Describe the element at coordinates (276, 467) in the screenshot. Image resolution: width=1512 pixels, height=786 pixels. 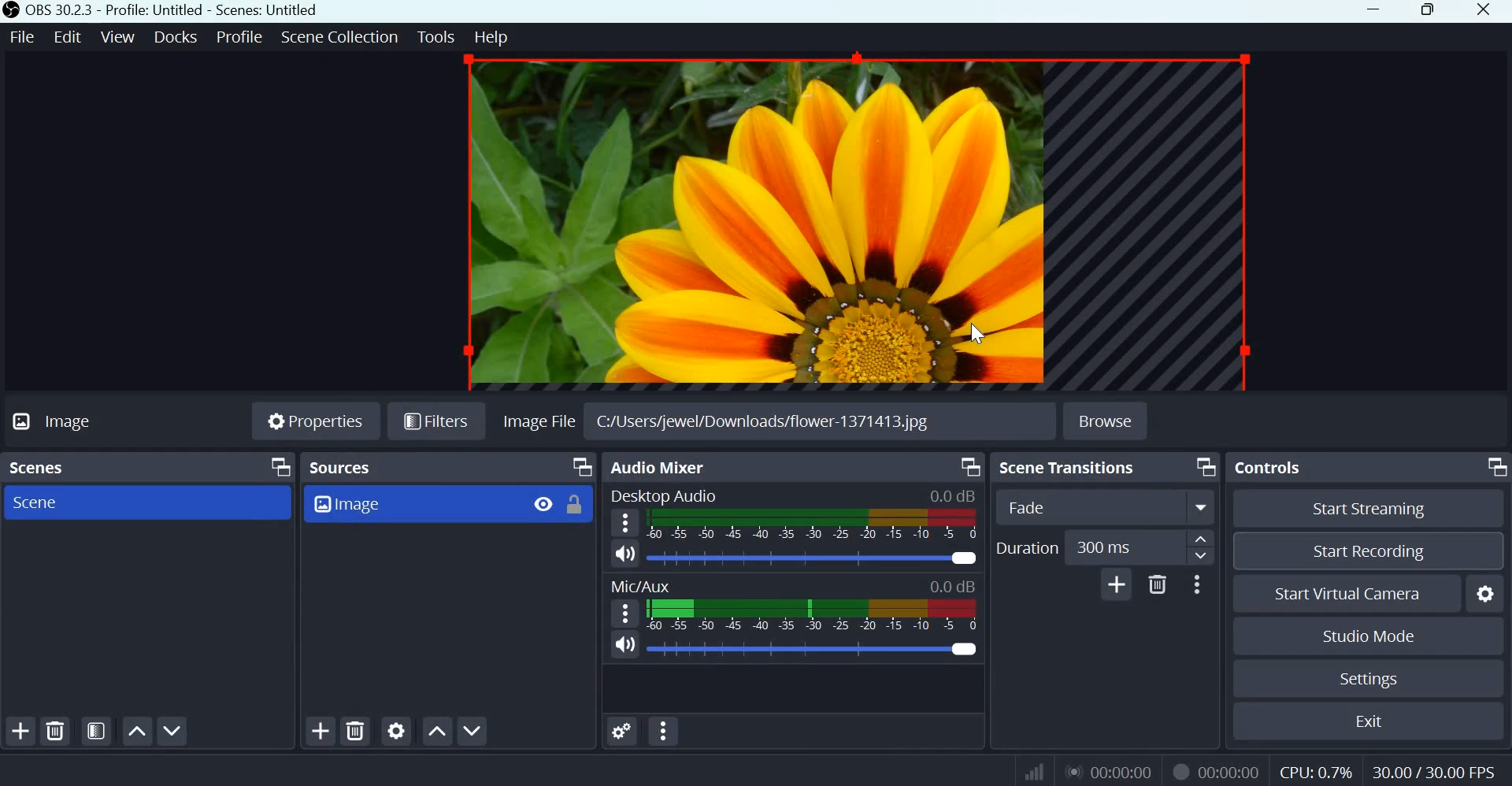
I see `Dock Options icon` at that location.